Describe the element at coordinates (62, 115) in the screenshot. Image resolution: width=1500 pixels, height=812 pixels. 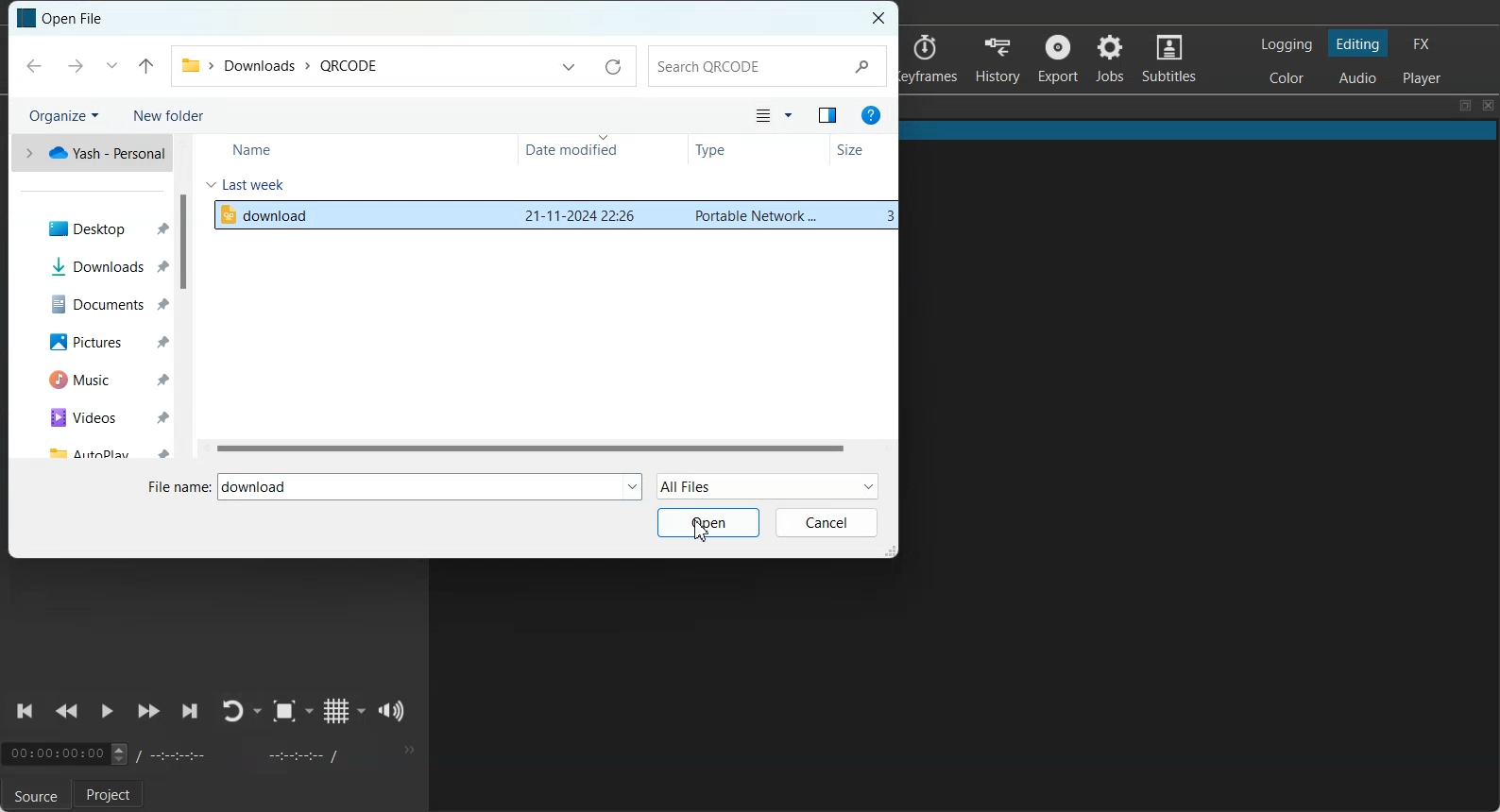
I see `Organize` at that location.